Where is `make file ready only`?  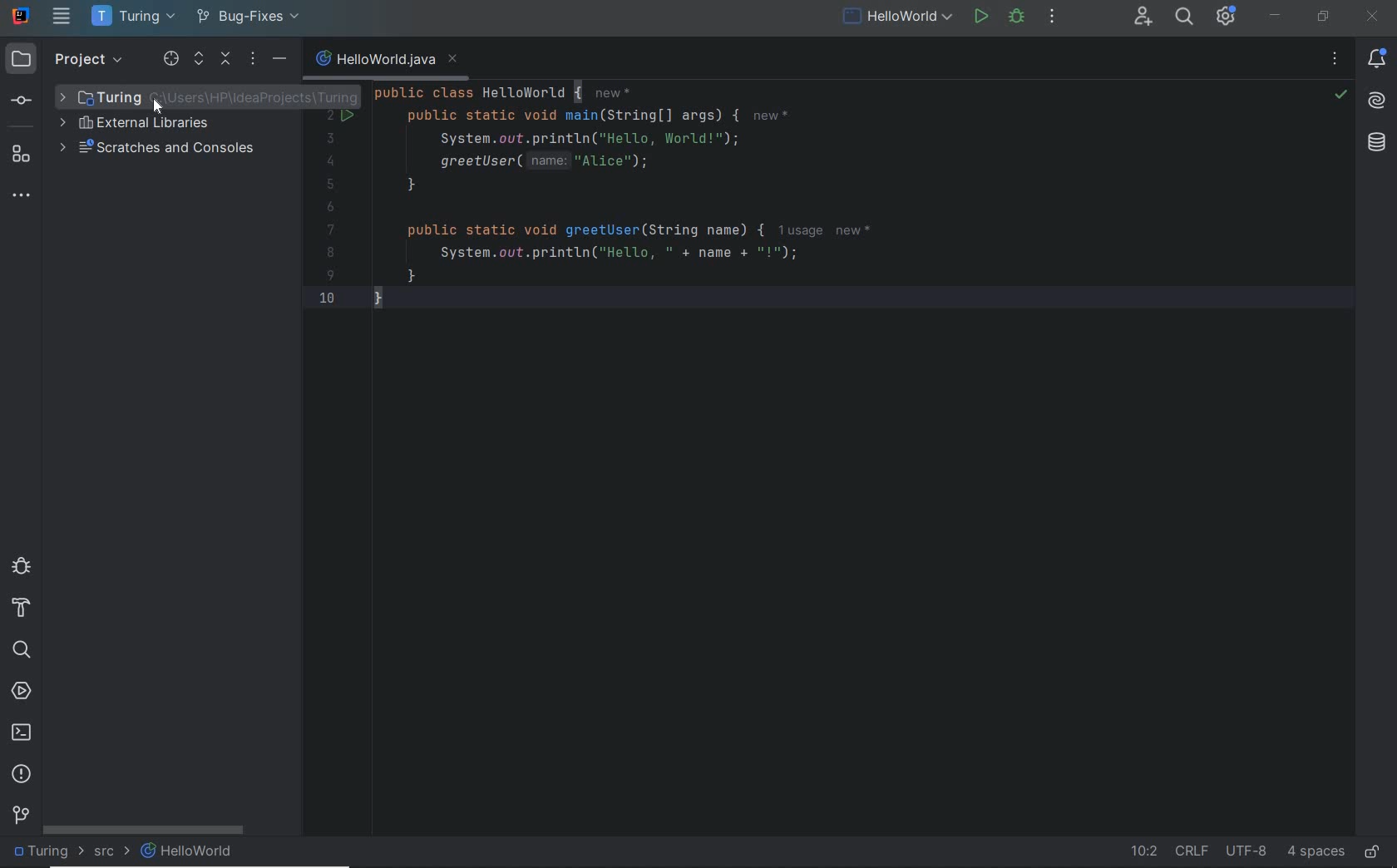
make file ready only is located at coordinates (1373, 853).